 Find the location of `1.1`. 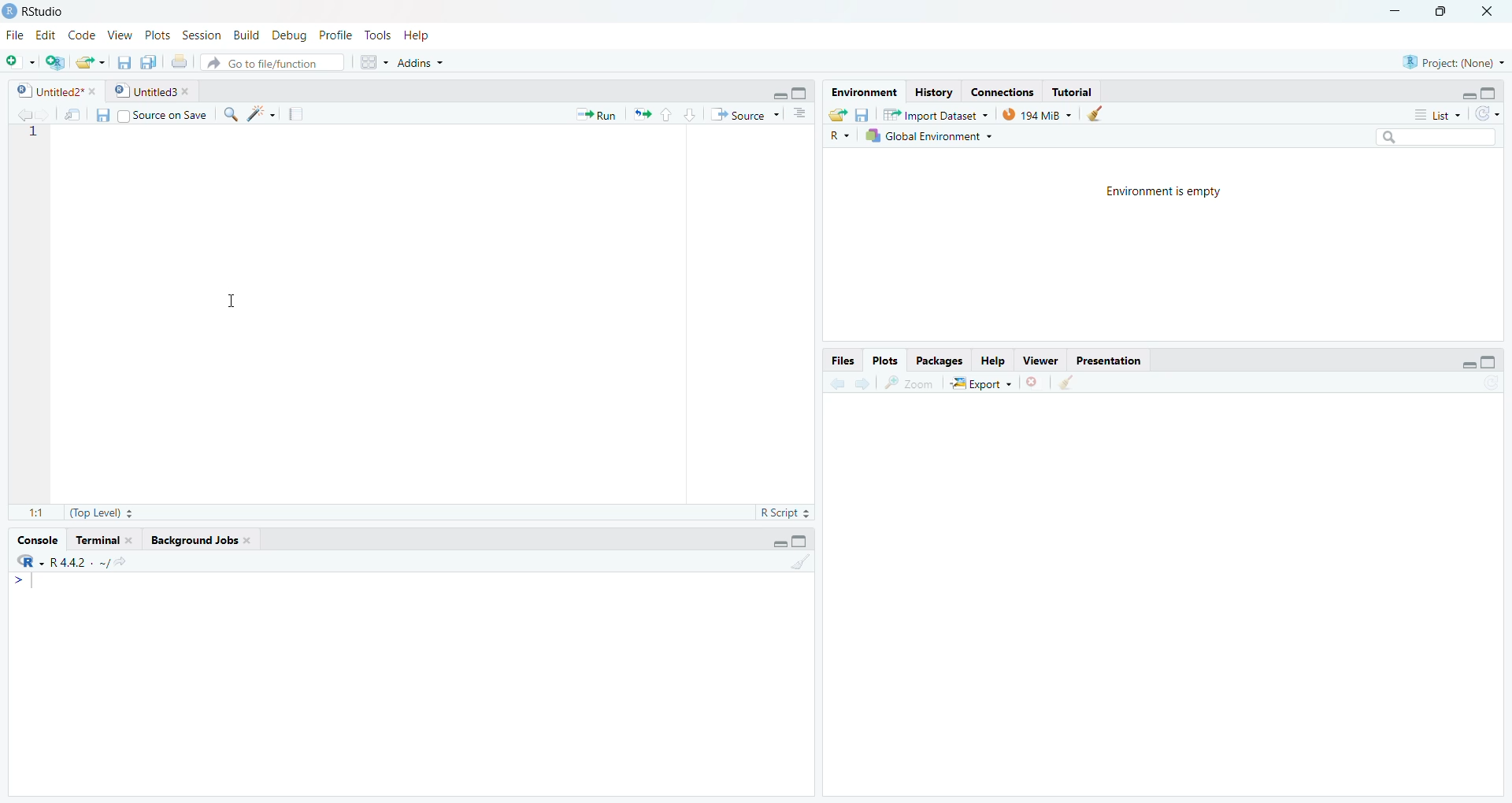

1.1 is located at coordinates (33, 513).